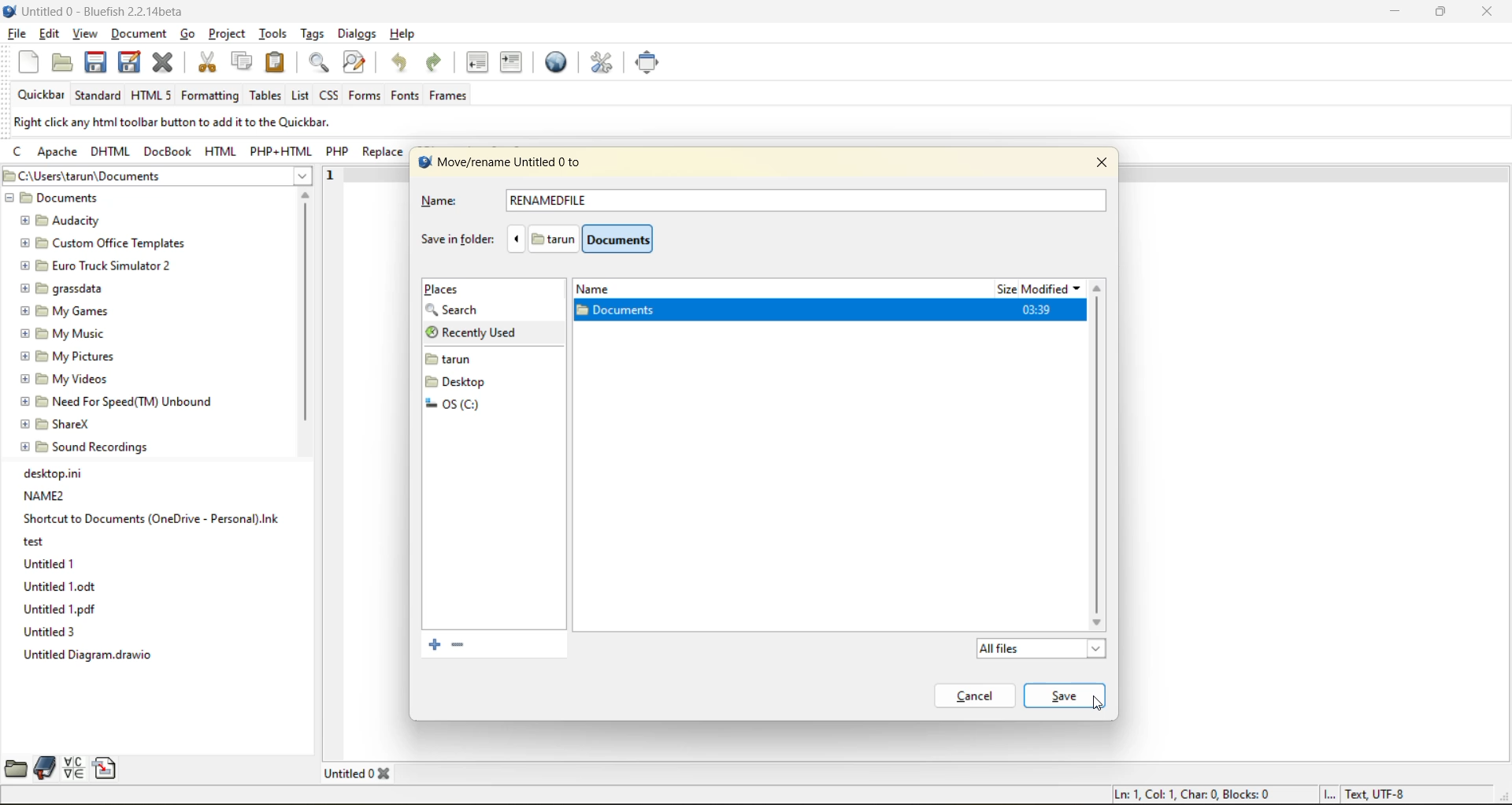  What do you see at coordinates (109, 153) in the screenshot?
I see `dhtml` at bounding box center [109, 153].